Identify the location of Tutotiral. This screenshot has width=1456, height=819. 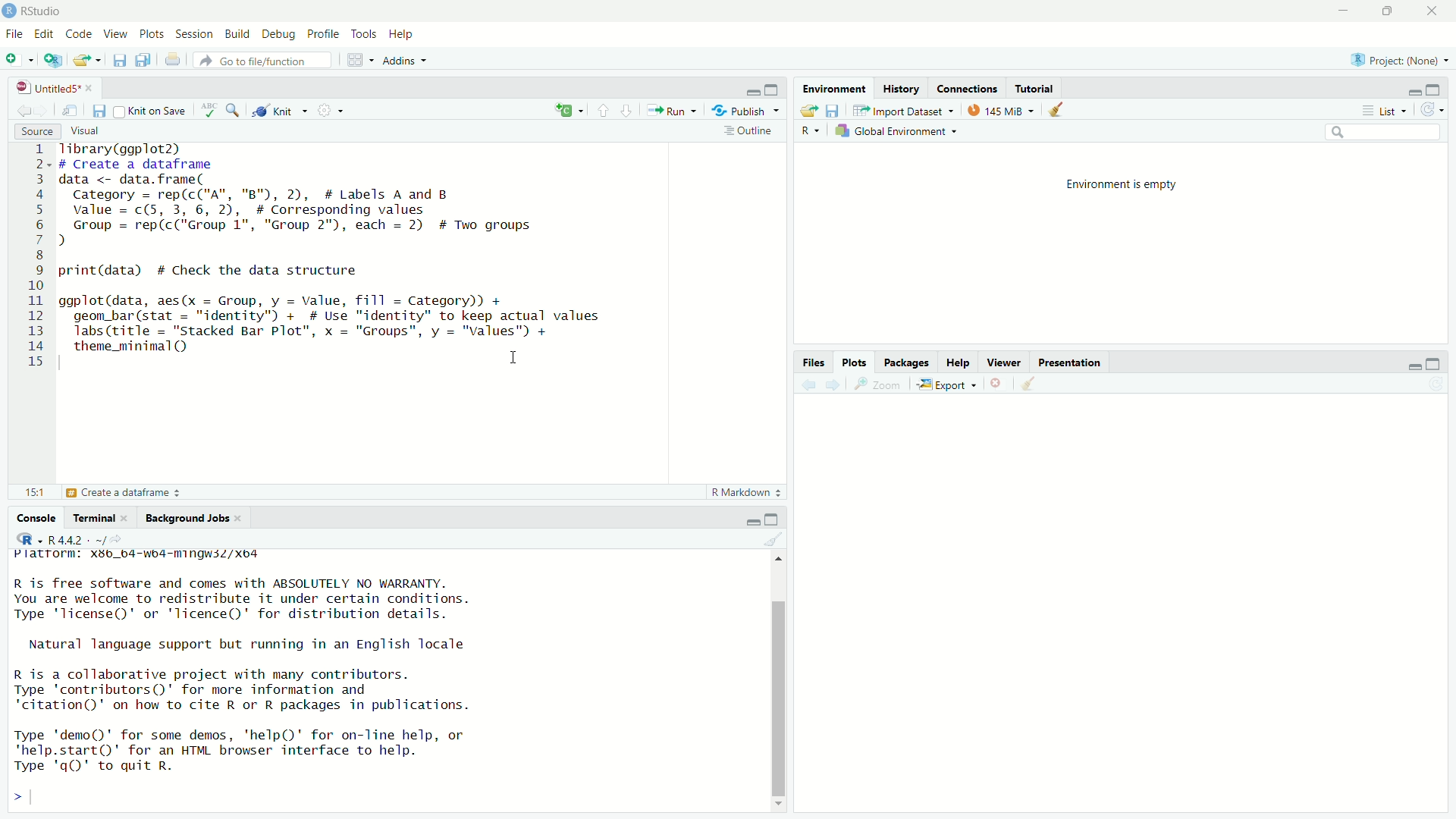
(1035, 87).